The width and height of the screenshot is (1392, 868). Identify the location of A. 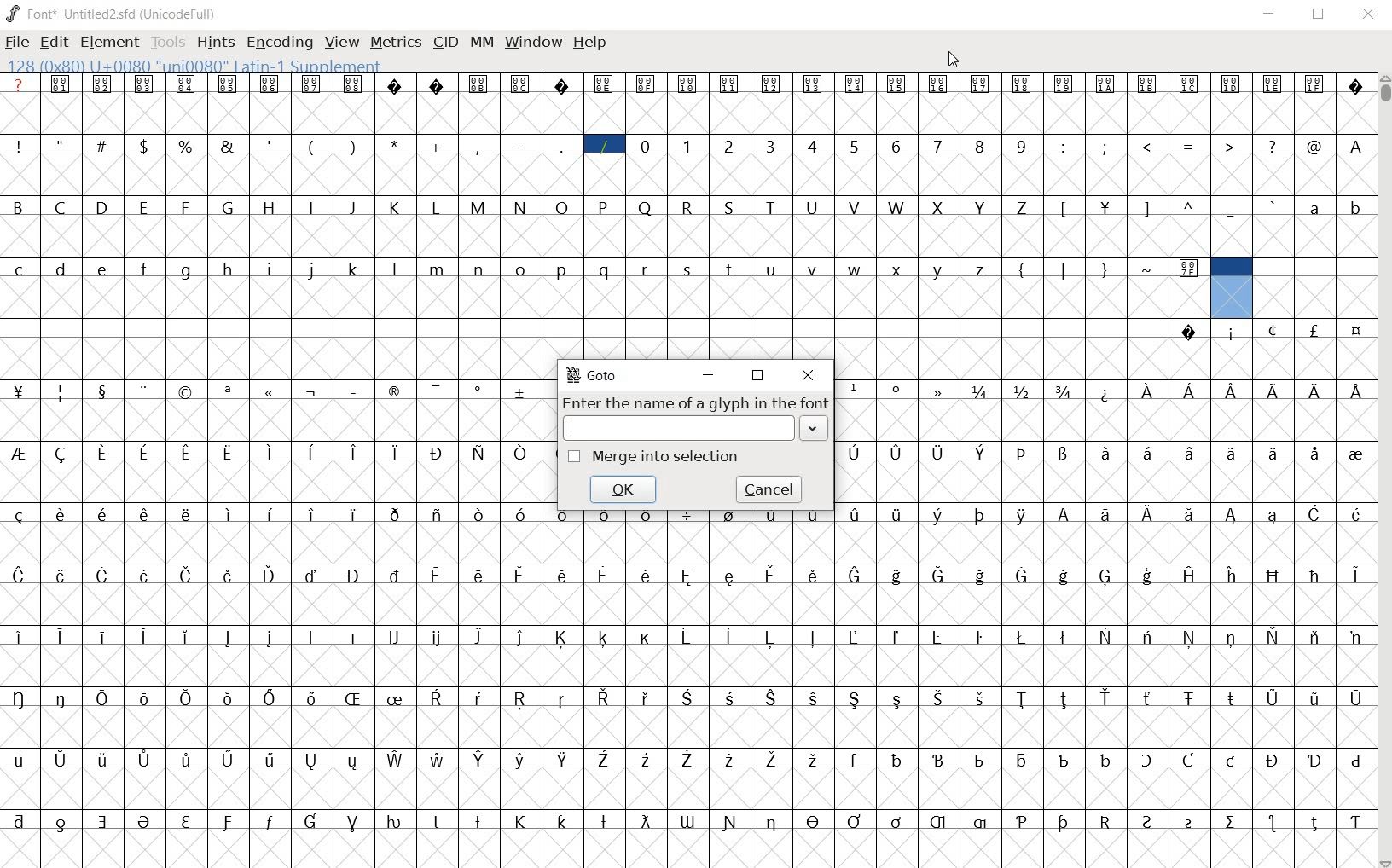
(1358, 145).